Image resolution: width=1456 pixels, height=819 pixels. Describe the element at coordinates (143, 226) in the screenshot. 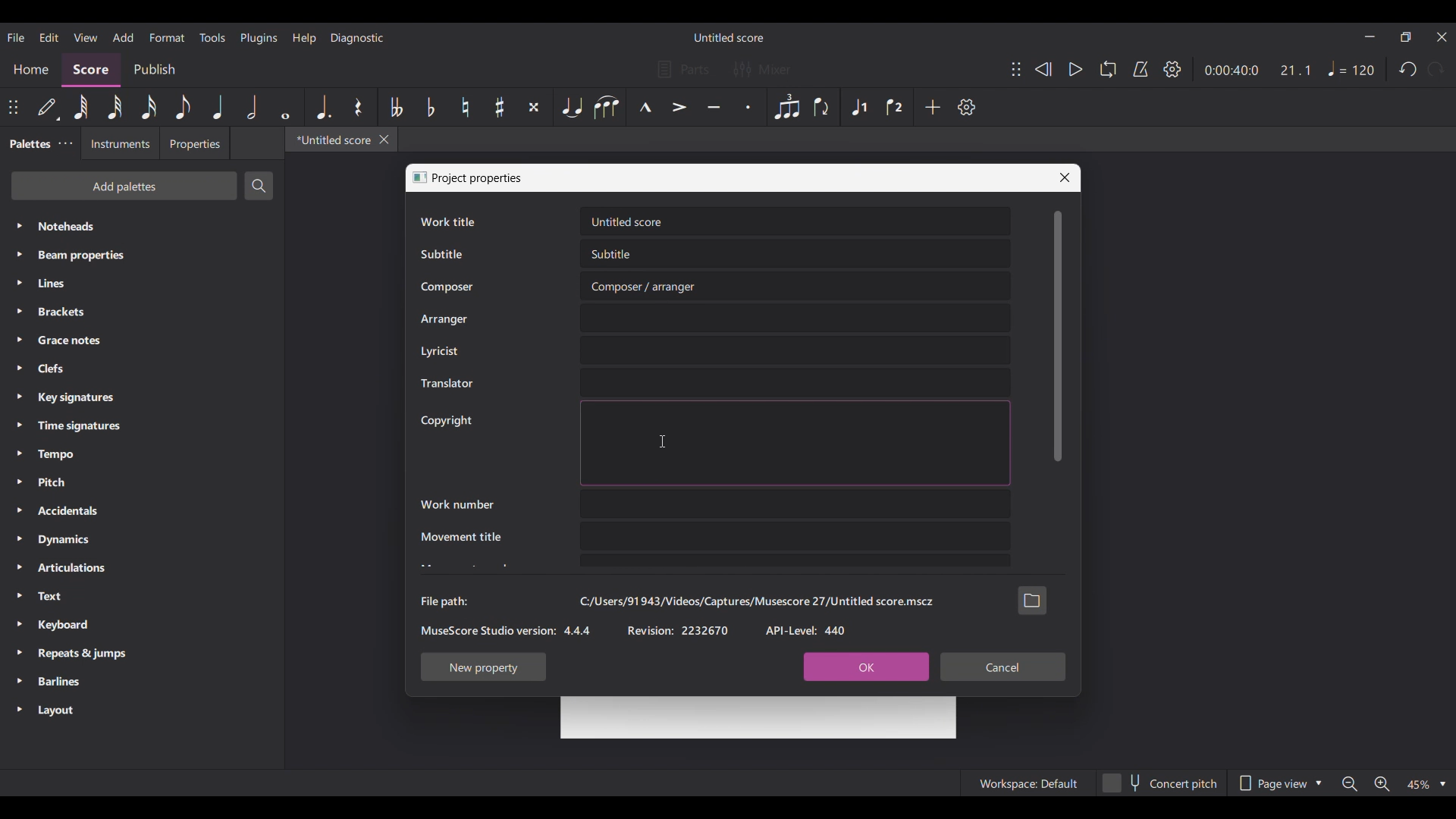

I see `Noteheads` at that location.